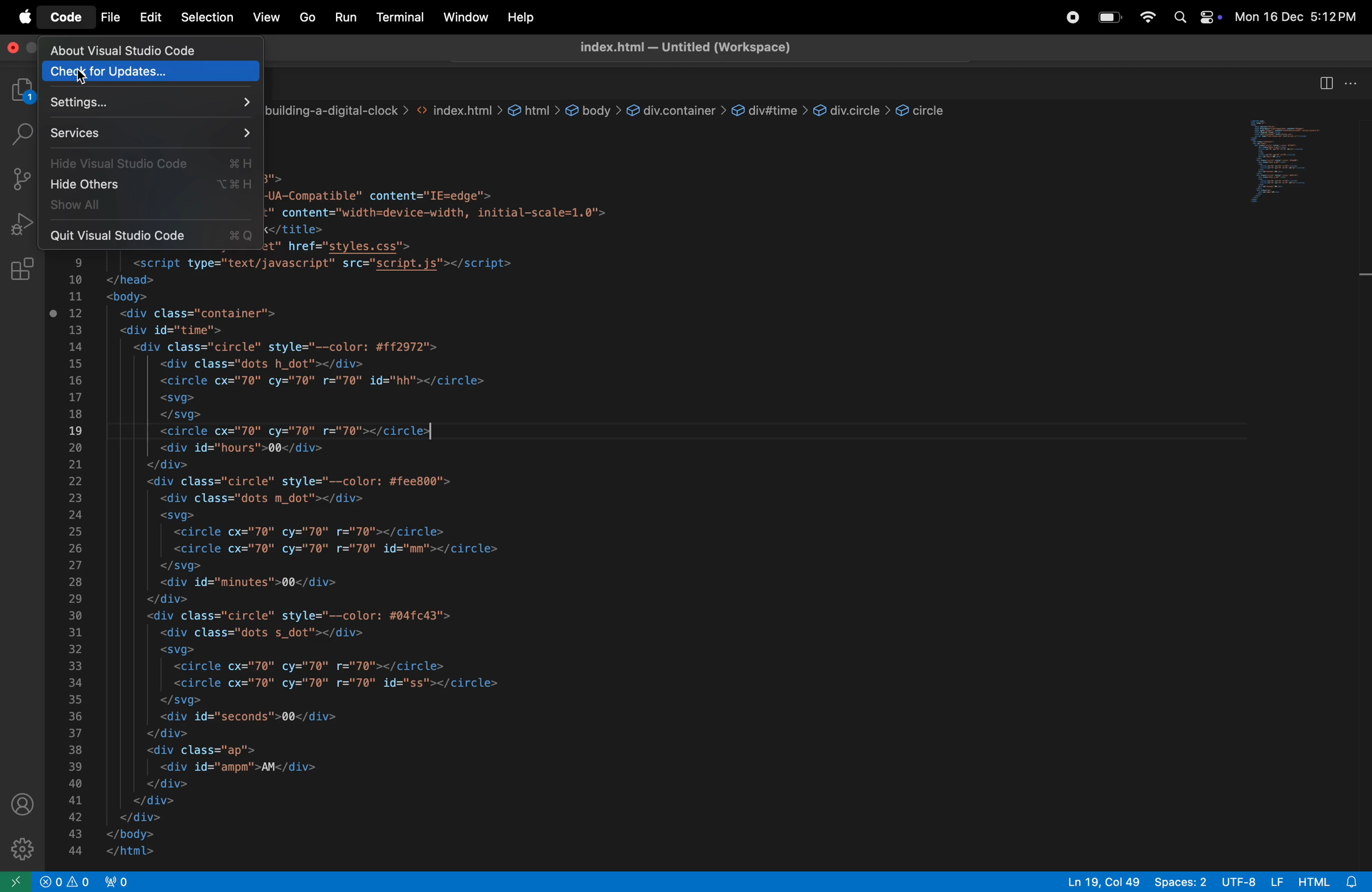 The width and height of the screenshot is (1372, 892). I want to click on </div>, so click(139, 818).